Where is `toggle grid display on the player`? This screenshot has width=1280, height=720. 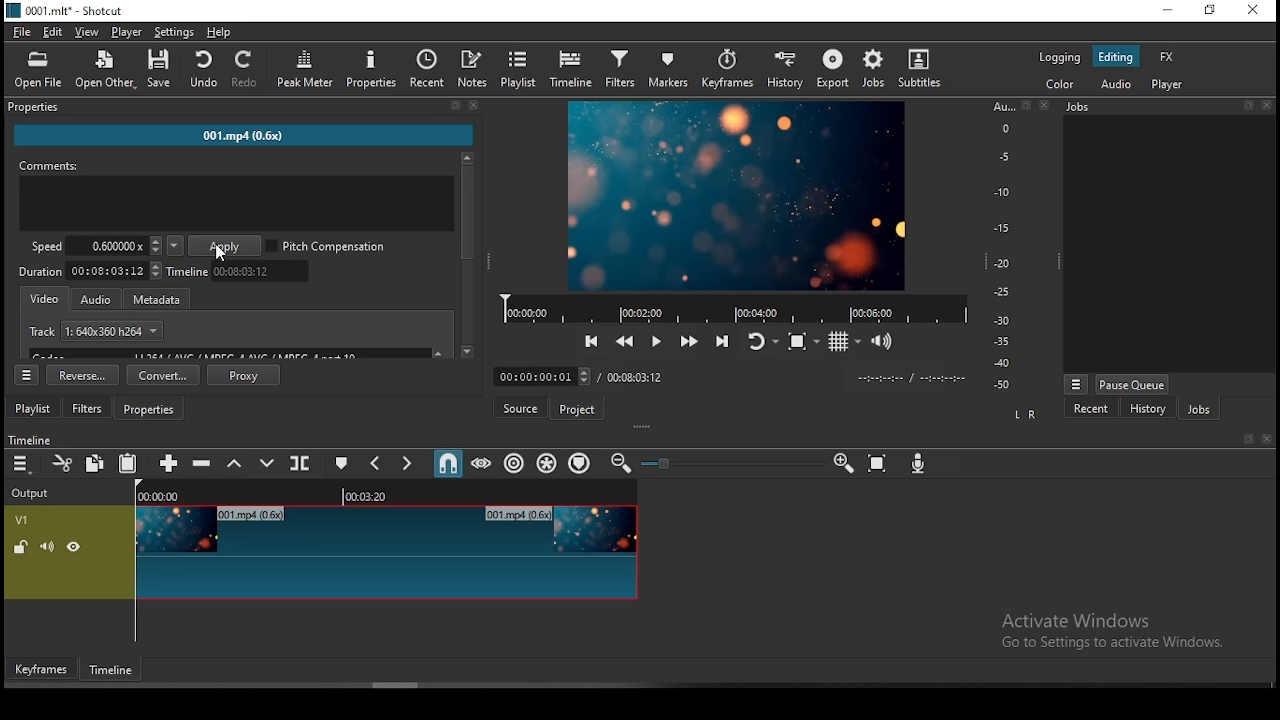 toggle grid display on the player is located at coordinates (845, 342).